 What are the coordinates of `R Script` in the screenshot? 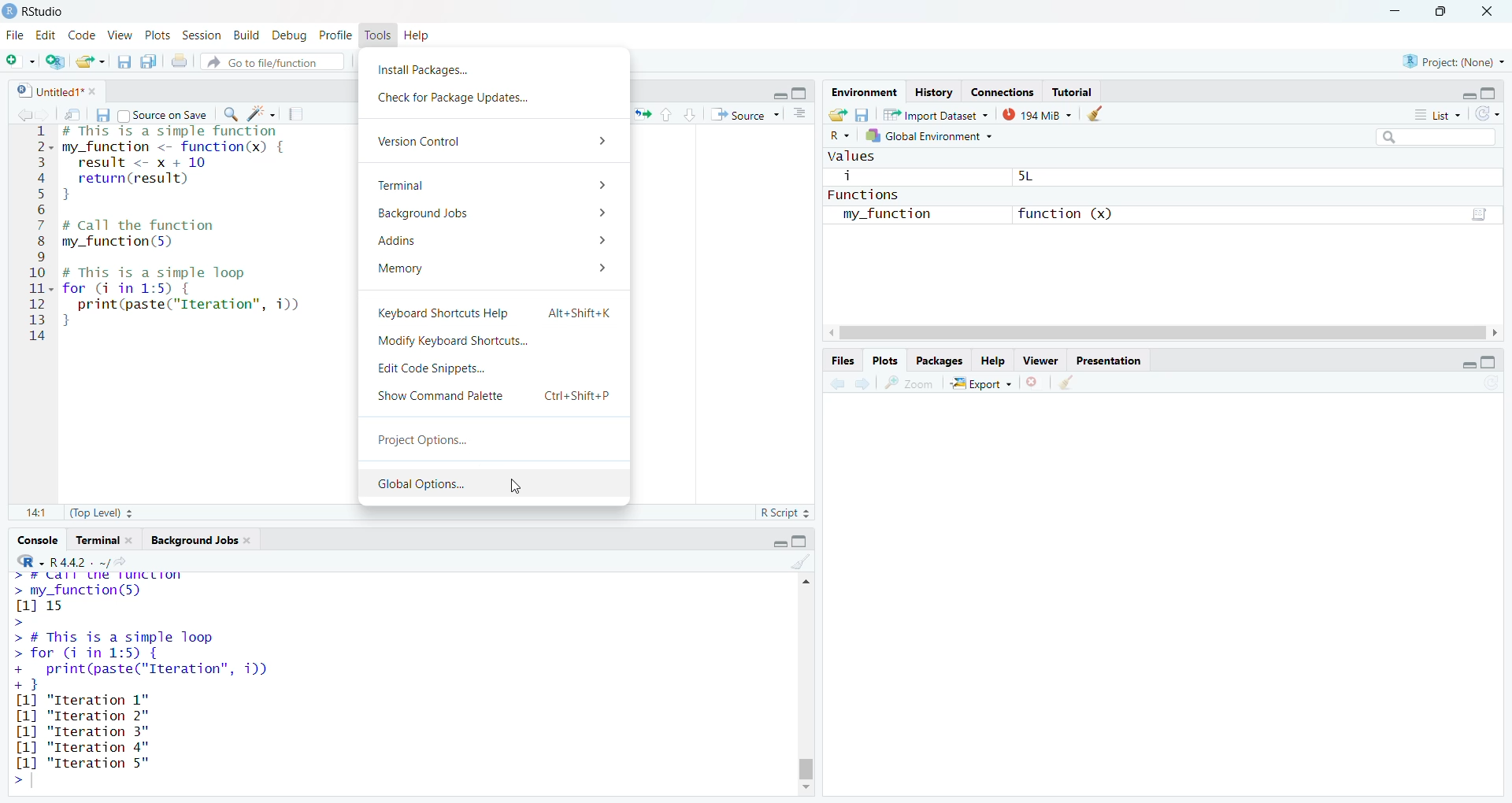 It's located at (787, 513).